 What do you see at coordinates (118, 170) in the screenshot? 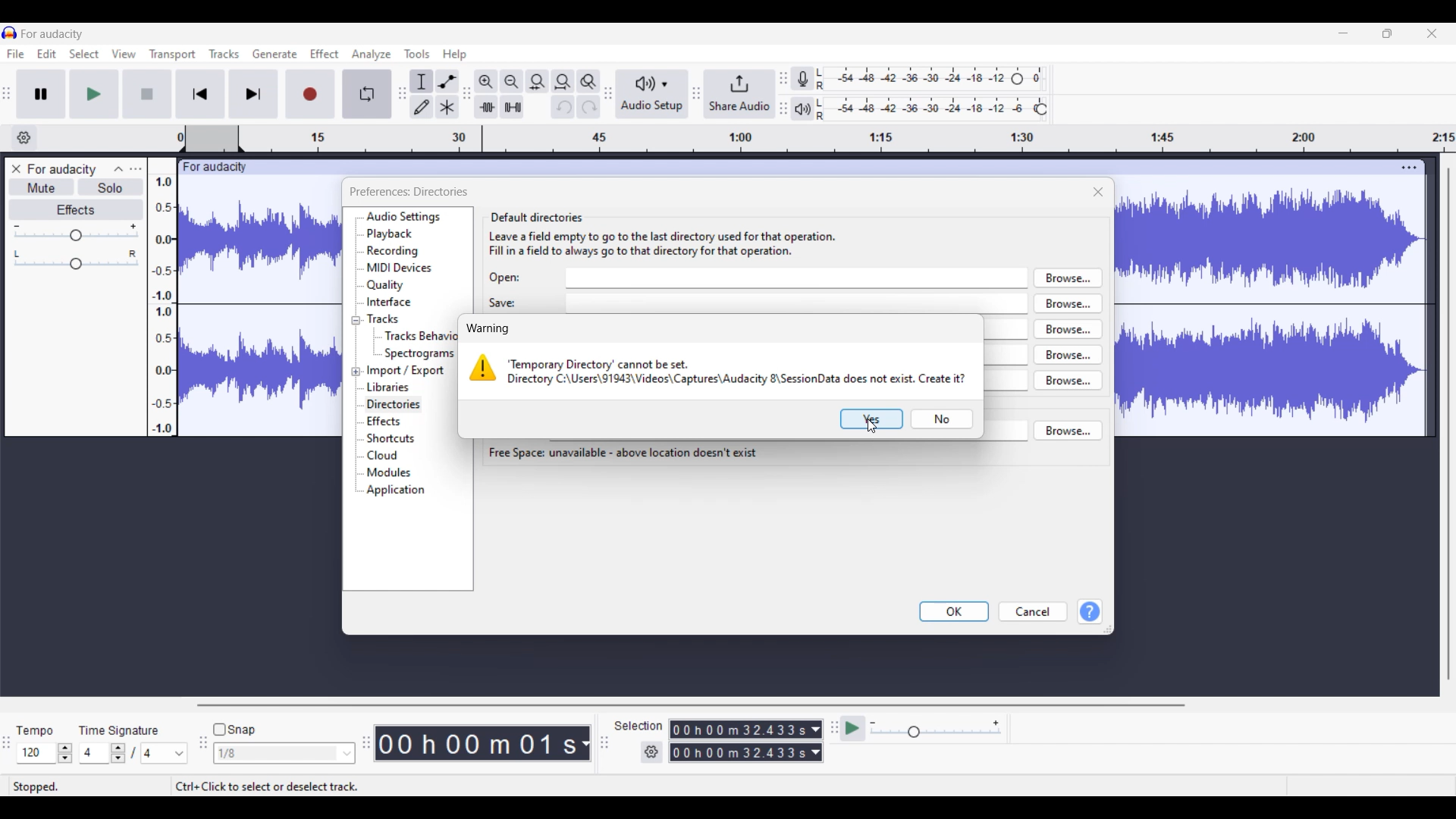
I see `Collapse ` at bounding box center [118, 170].